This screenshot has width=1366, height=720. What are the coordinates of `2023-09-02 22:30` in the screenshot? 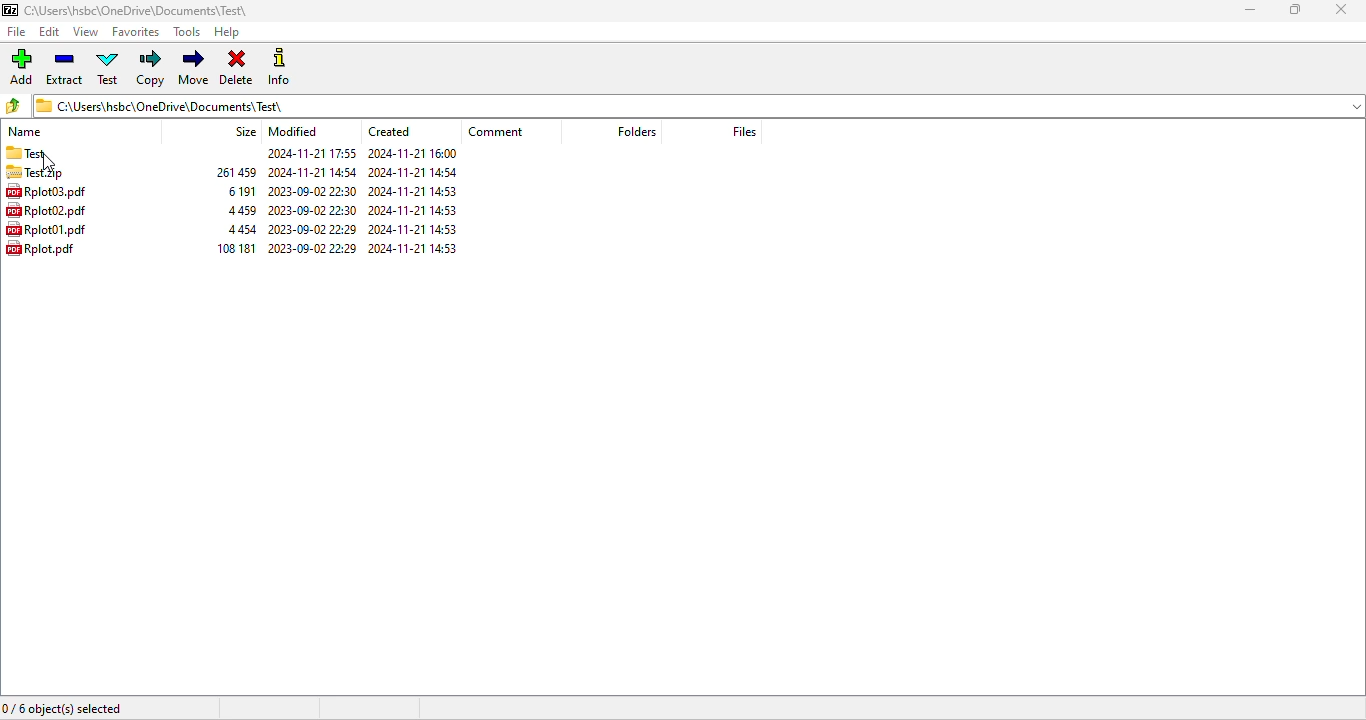 It's located at (314, 190).